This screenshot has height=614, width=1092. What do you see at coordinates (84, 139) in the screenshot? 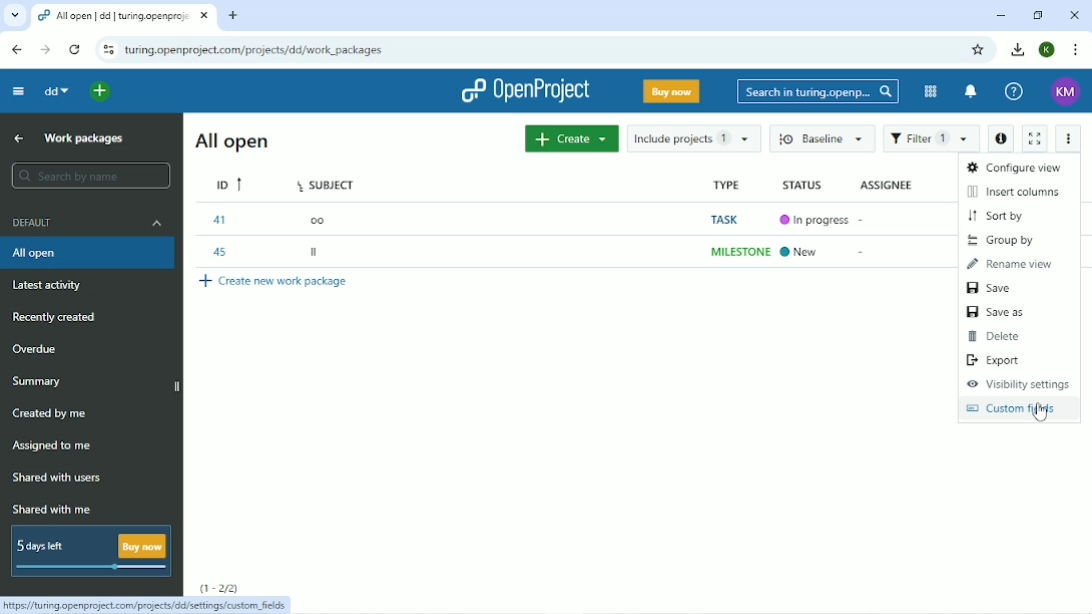
I see `Work packages` at bounding box center [84, 139].